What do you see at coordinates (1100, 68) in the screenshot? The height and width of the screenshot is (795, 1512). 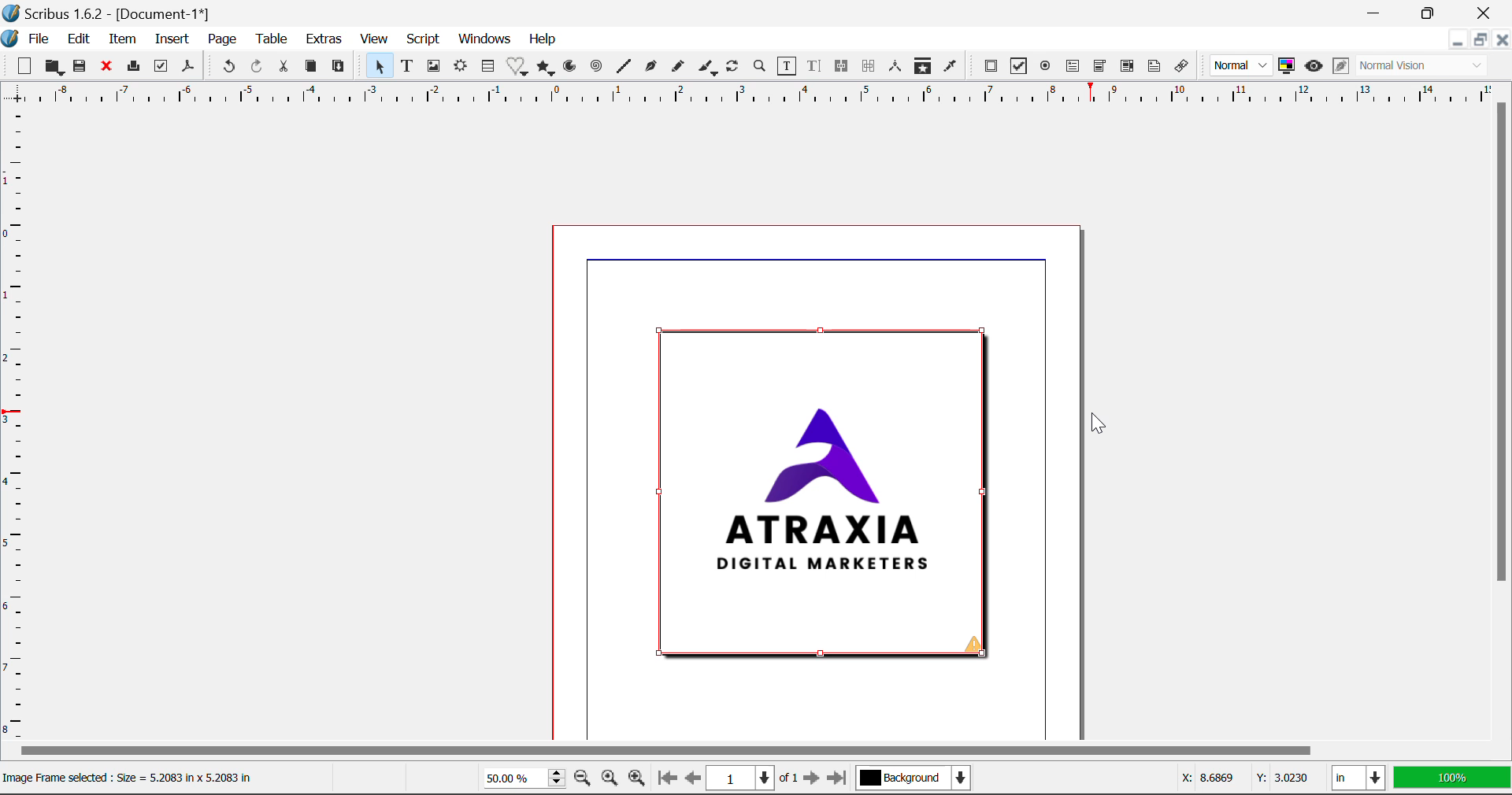 I see `Pdf Combo box` at bounding box center [1100, 68].